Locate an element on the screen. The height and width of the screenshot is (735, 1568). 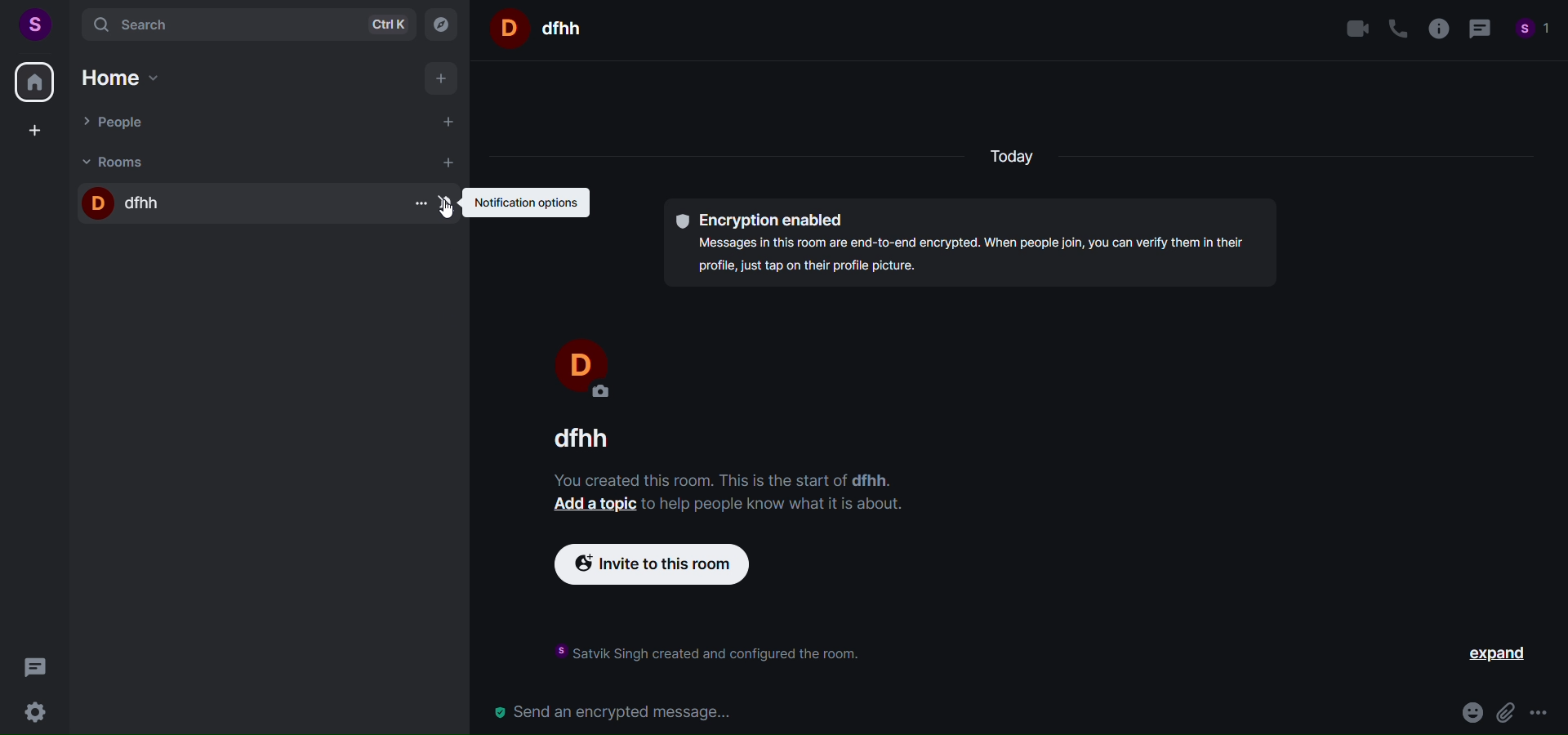
notification options is located at coordinates (530, 206).